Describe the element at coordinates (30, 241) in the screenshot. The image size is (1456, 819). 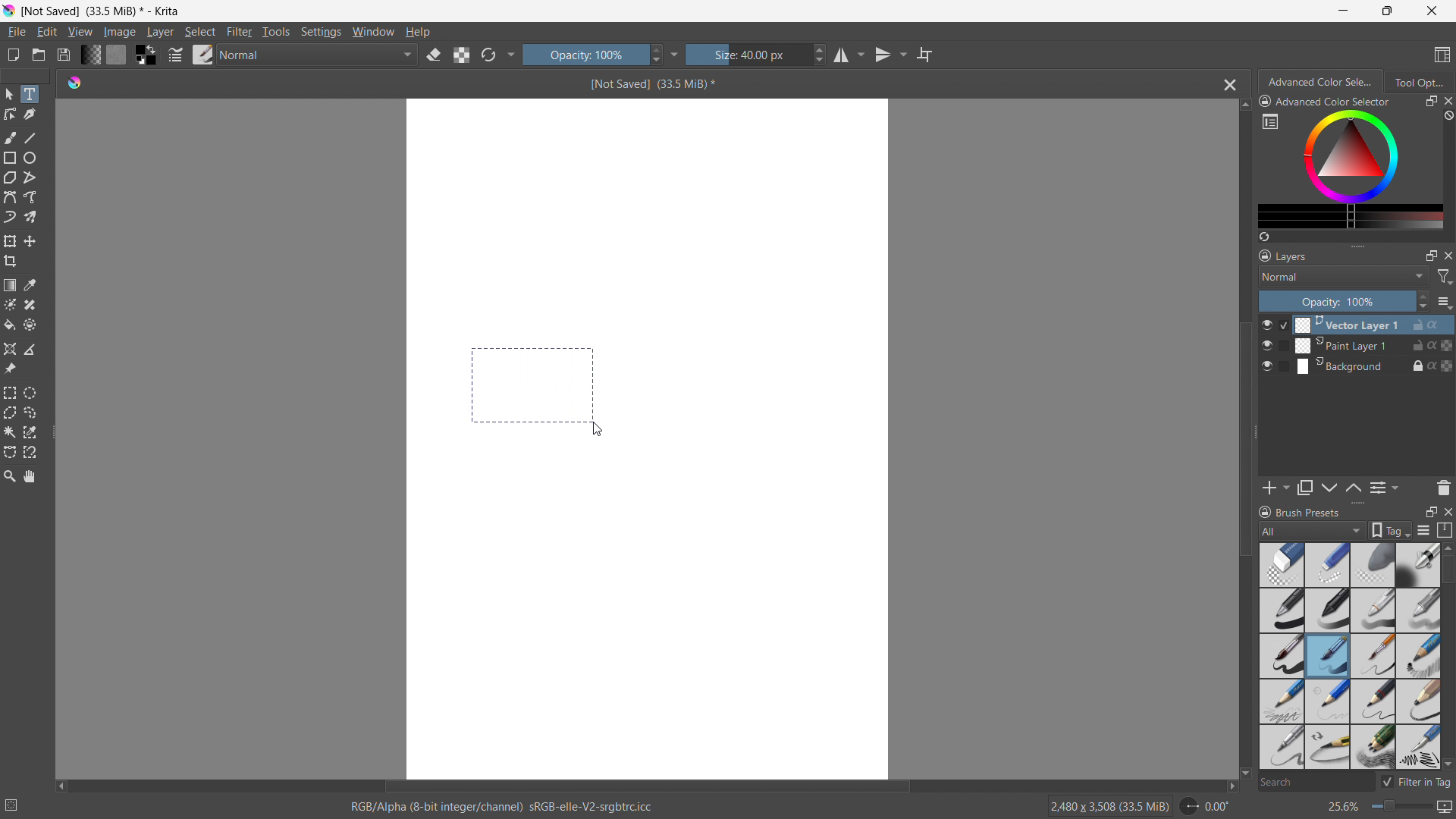
I see `move to a layer` at that location.